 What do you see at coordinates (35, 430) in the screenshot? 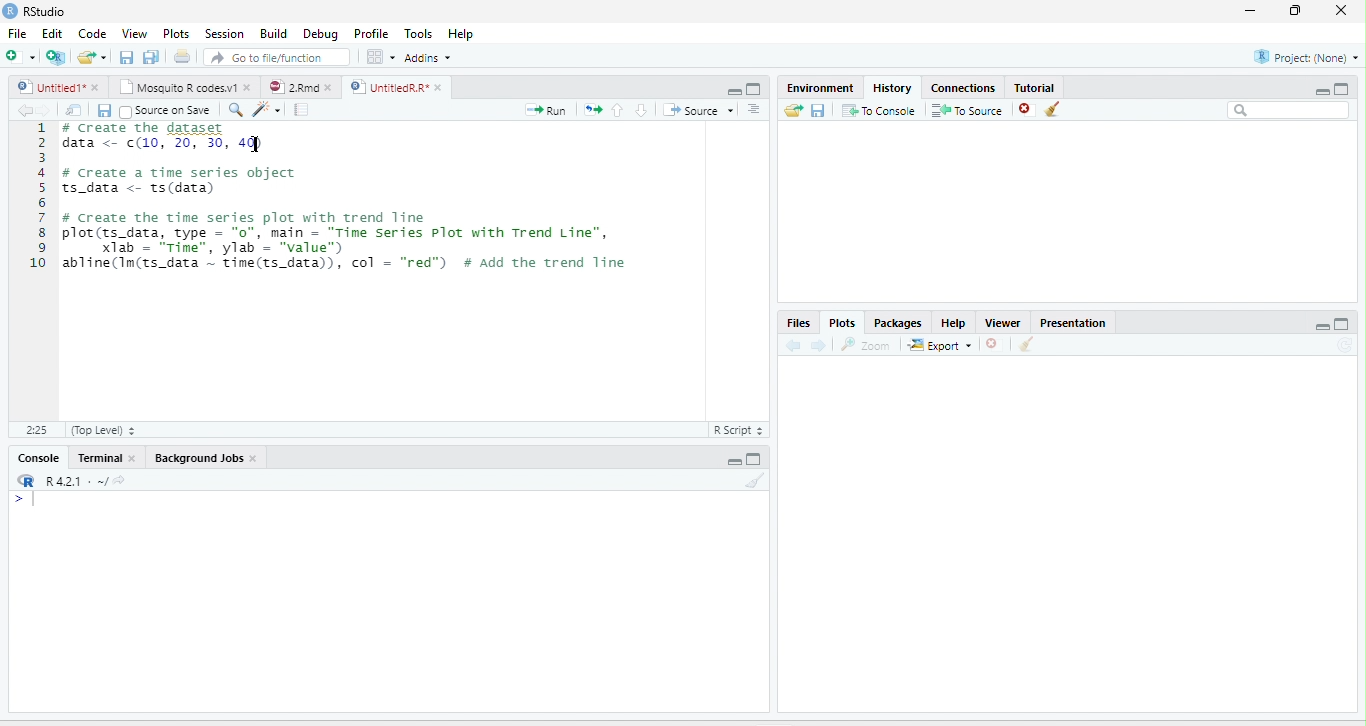
I see `1:1` at bounding box center [35, 430].